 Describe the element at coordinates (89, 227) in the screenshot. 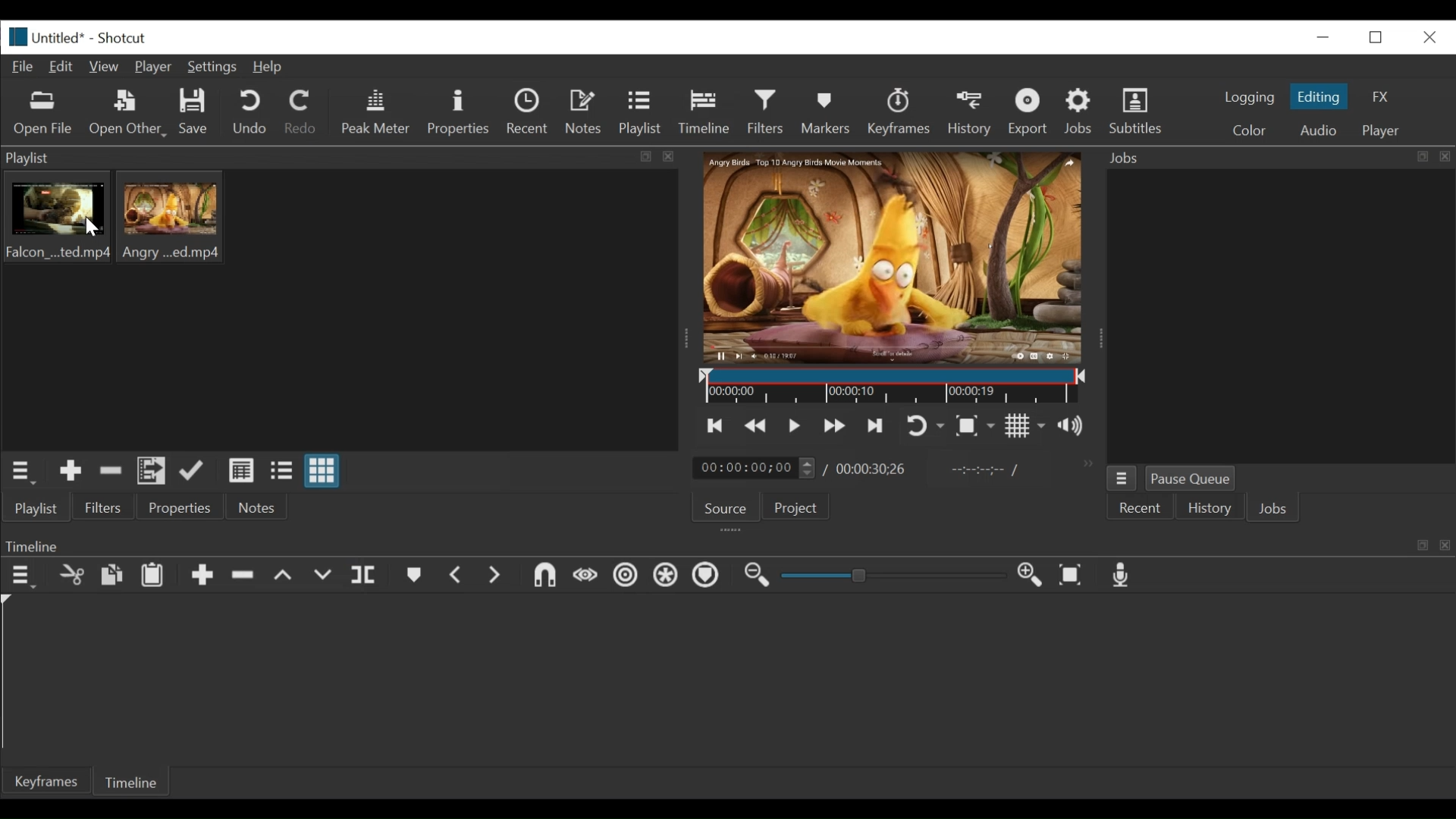

I see `cursor` at that location.